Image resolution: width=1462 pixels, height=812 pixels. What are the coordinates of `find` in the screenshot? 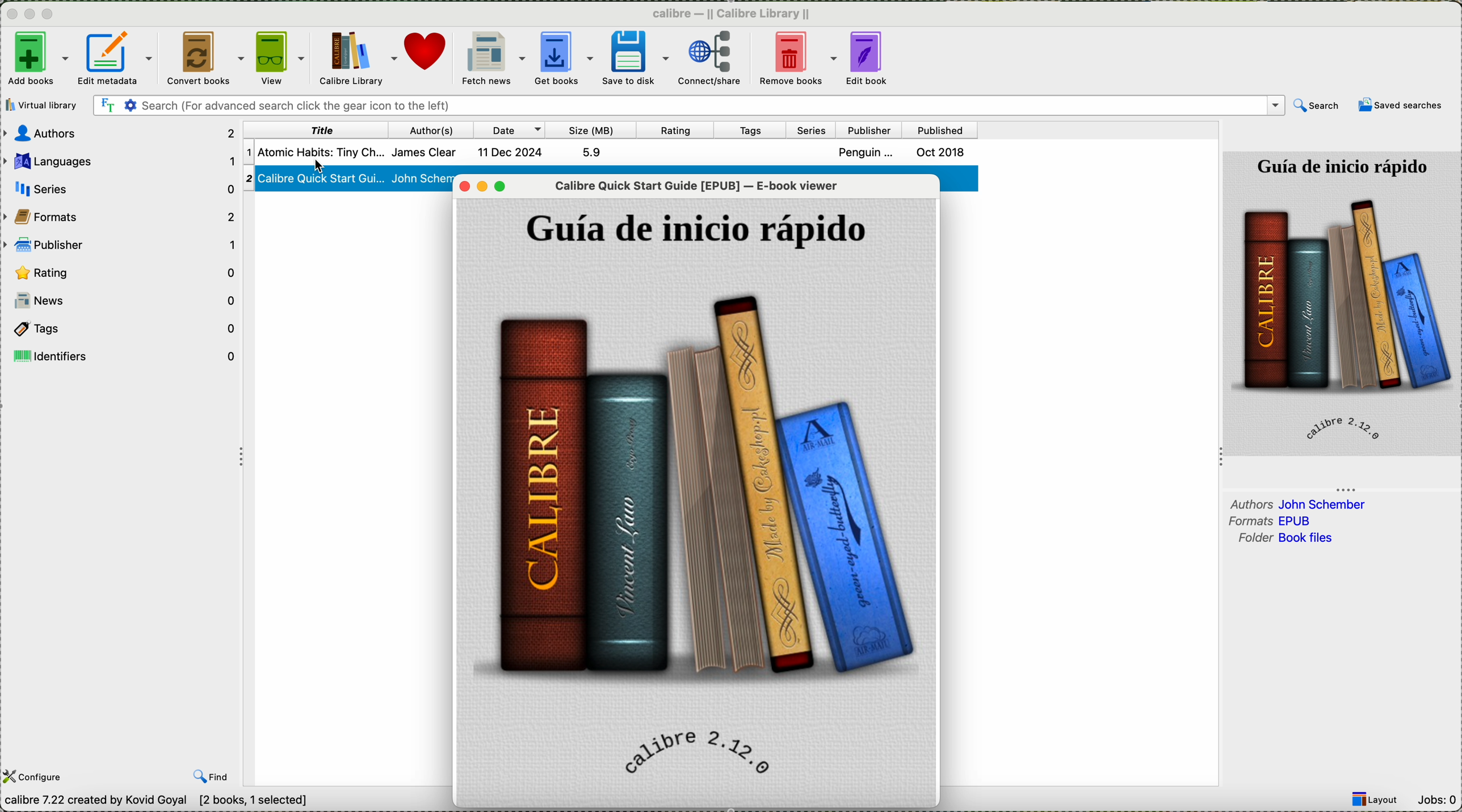 It's located at (213, 777).